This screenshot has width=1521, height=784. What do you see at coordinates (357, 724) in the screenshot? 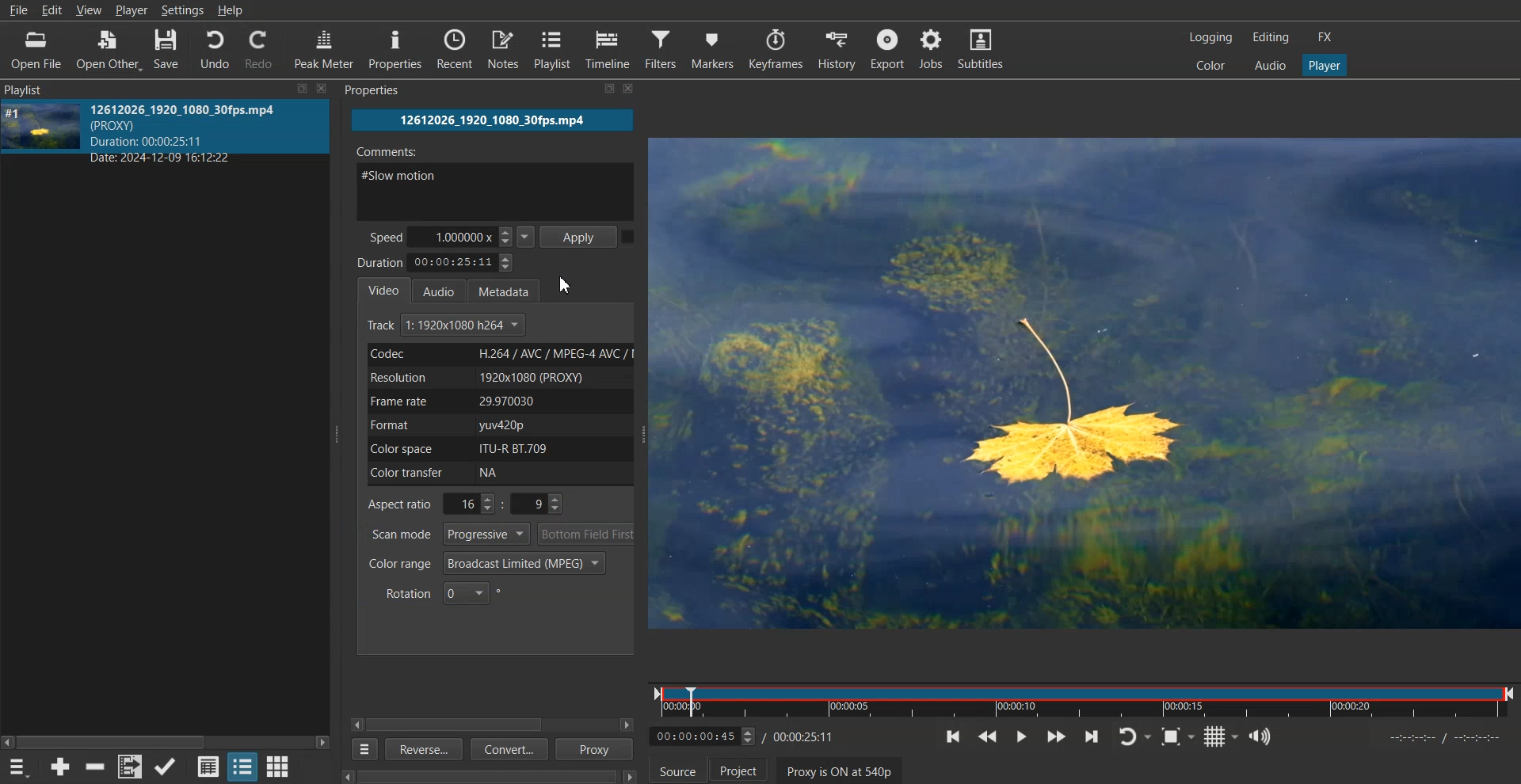
I see `Scroll Left` at bounding box center [357, 724].